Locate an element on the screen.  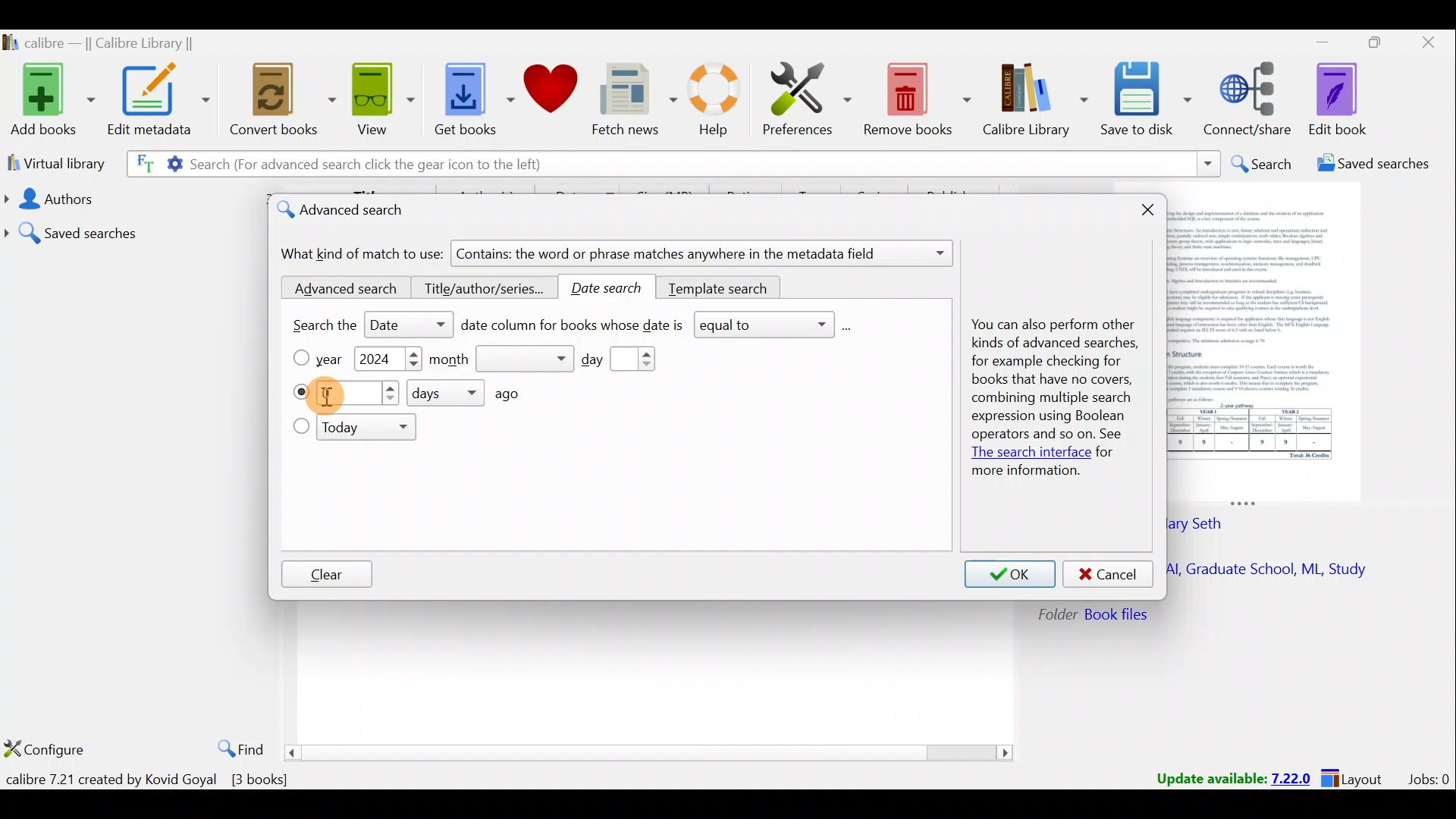
Cancel is located at coordinates (1109, 575).